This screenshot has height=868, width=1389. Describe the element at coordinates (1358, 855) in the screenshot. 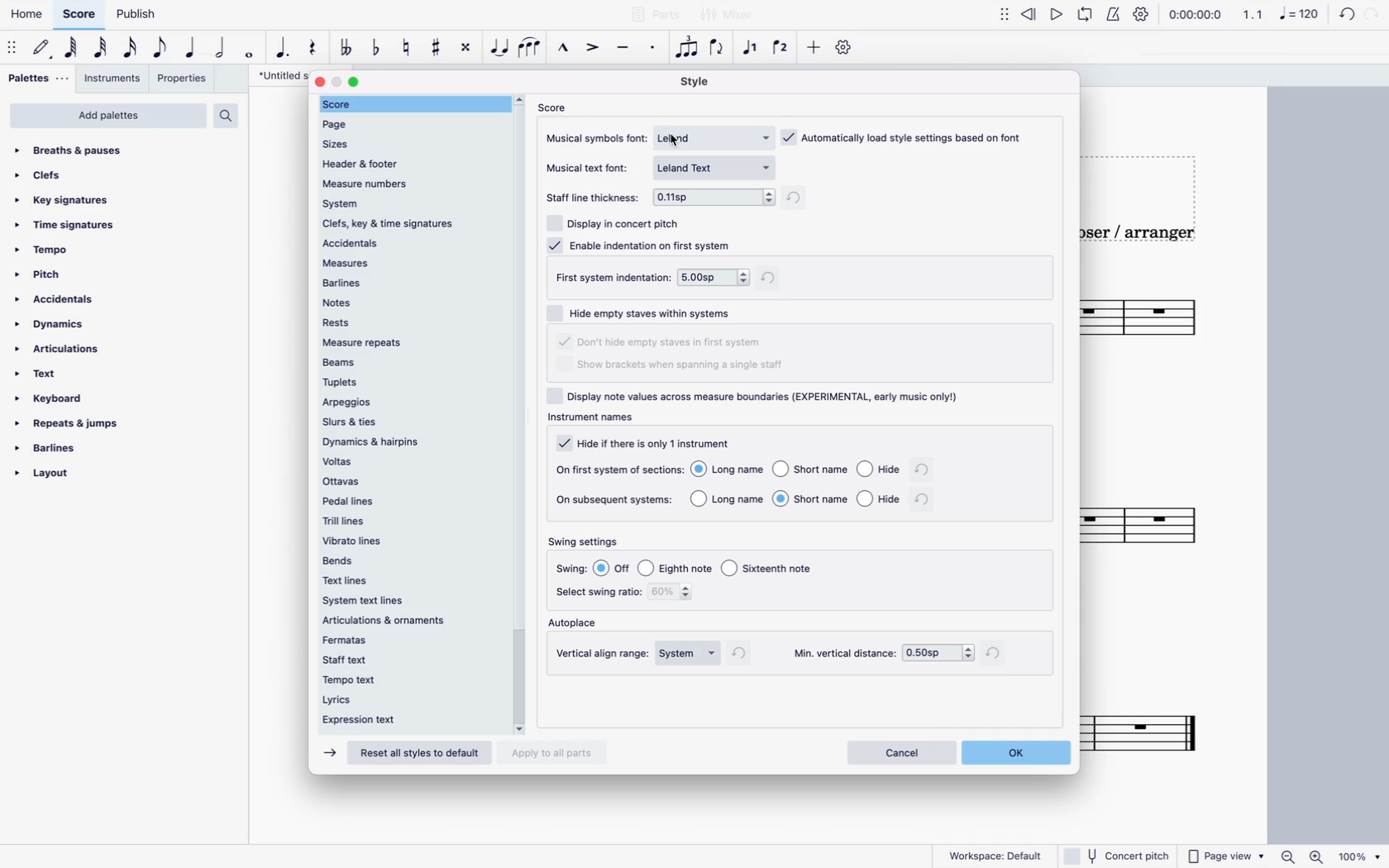

I see `100%` at that location.